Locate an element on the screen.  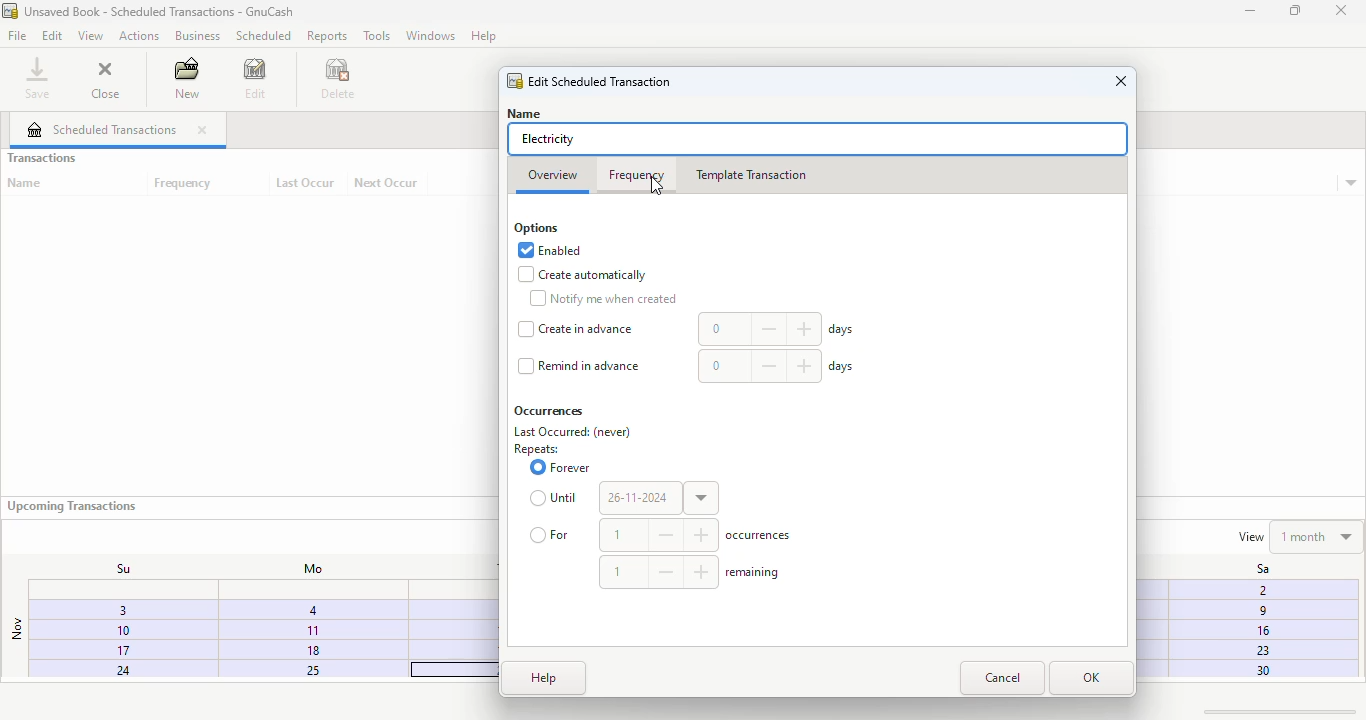
last occur is located at coordinates (305, 183).